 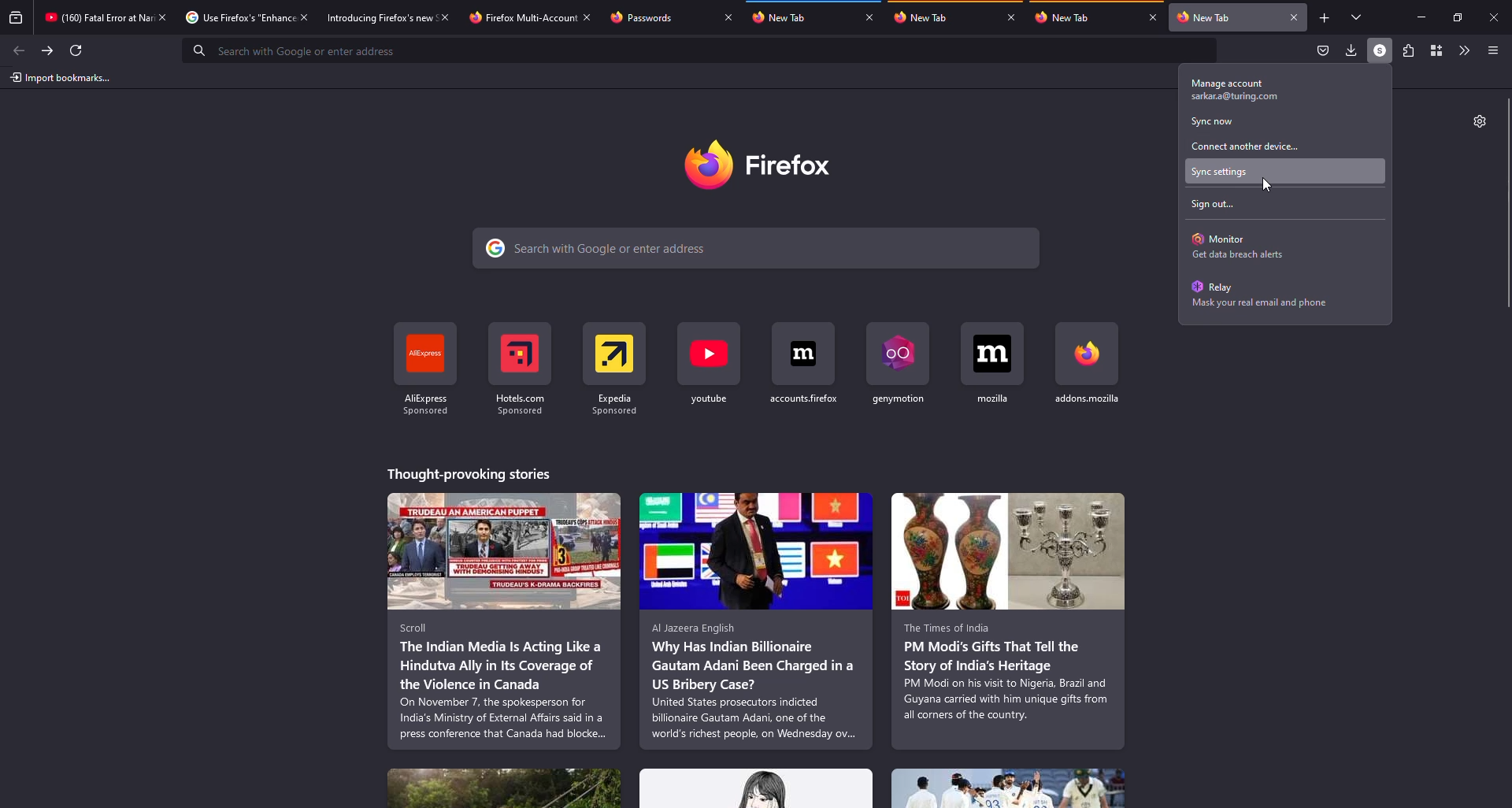 What do you see at coordinates (1285, 87) in the screenshot?
I see `manage account` at bounding box center [1285, 87].